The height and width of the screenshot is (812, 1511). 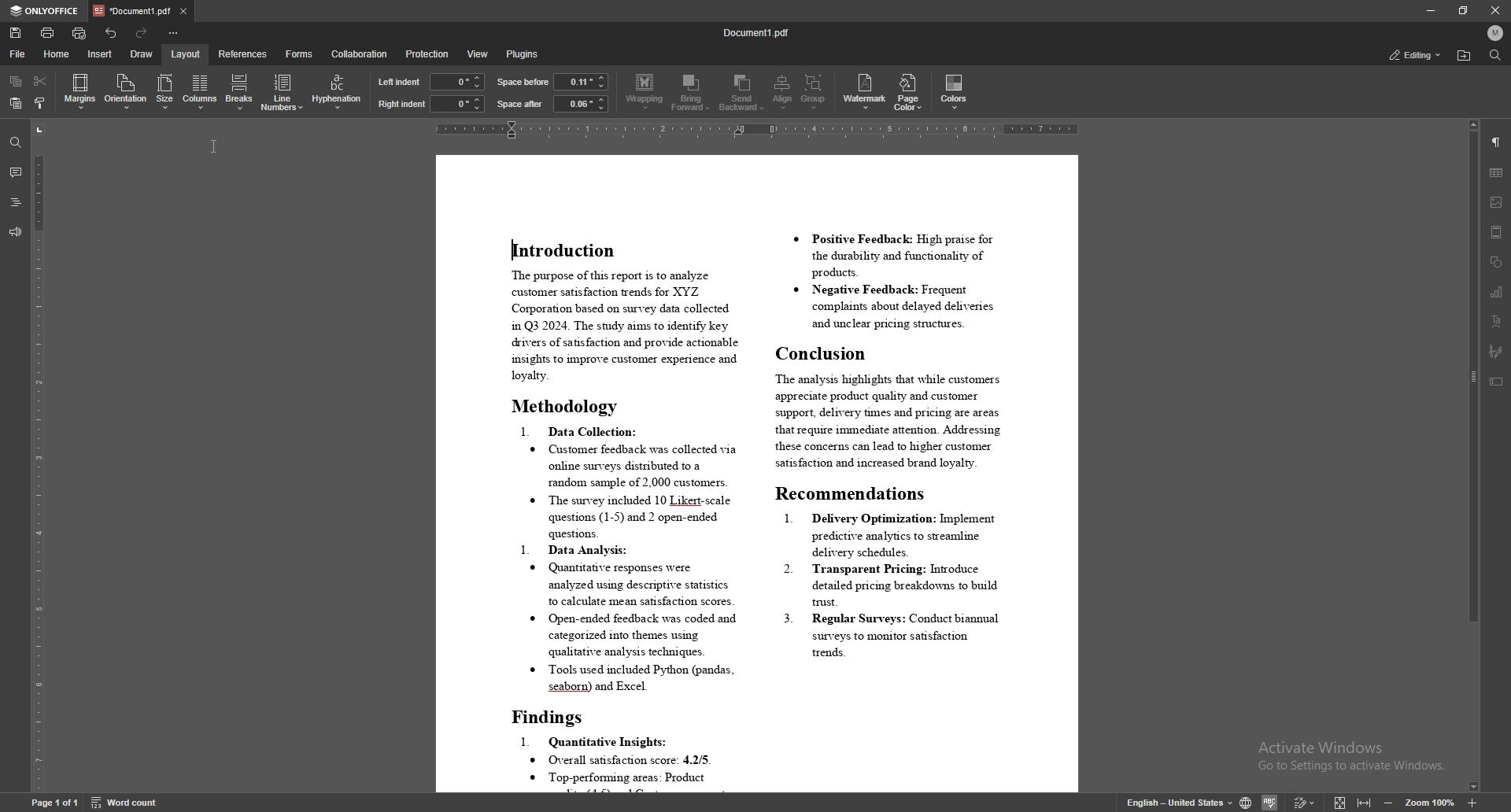 What do you see at coordinates (176, 32) in the screenshot?
I see `configure toolbar` at bounding box center [176, 32].